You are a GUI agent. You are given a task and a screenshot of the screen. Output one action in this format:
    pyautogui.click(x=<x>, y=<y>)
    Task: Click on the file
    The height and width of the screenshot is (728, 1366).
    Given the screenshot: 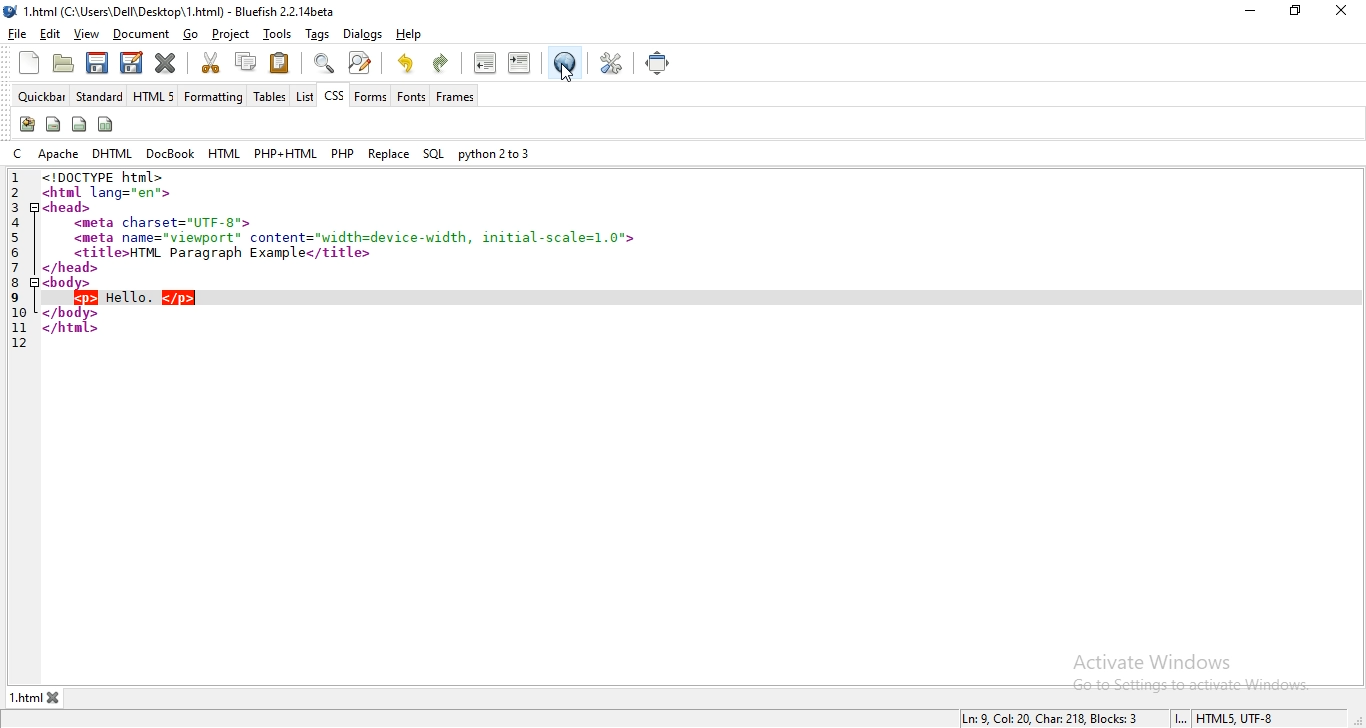 What is the action you would take?
    pyautogui.click(x=20, y=33)
    